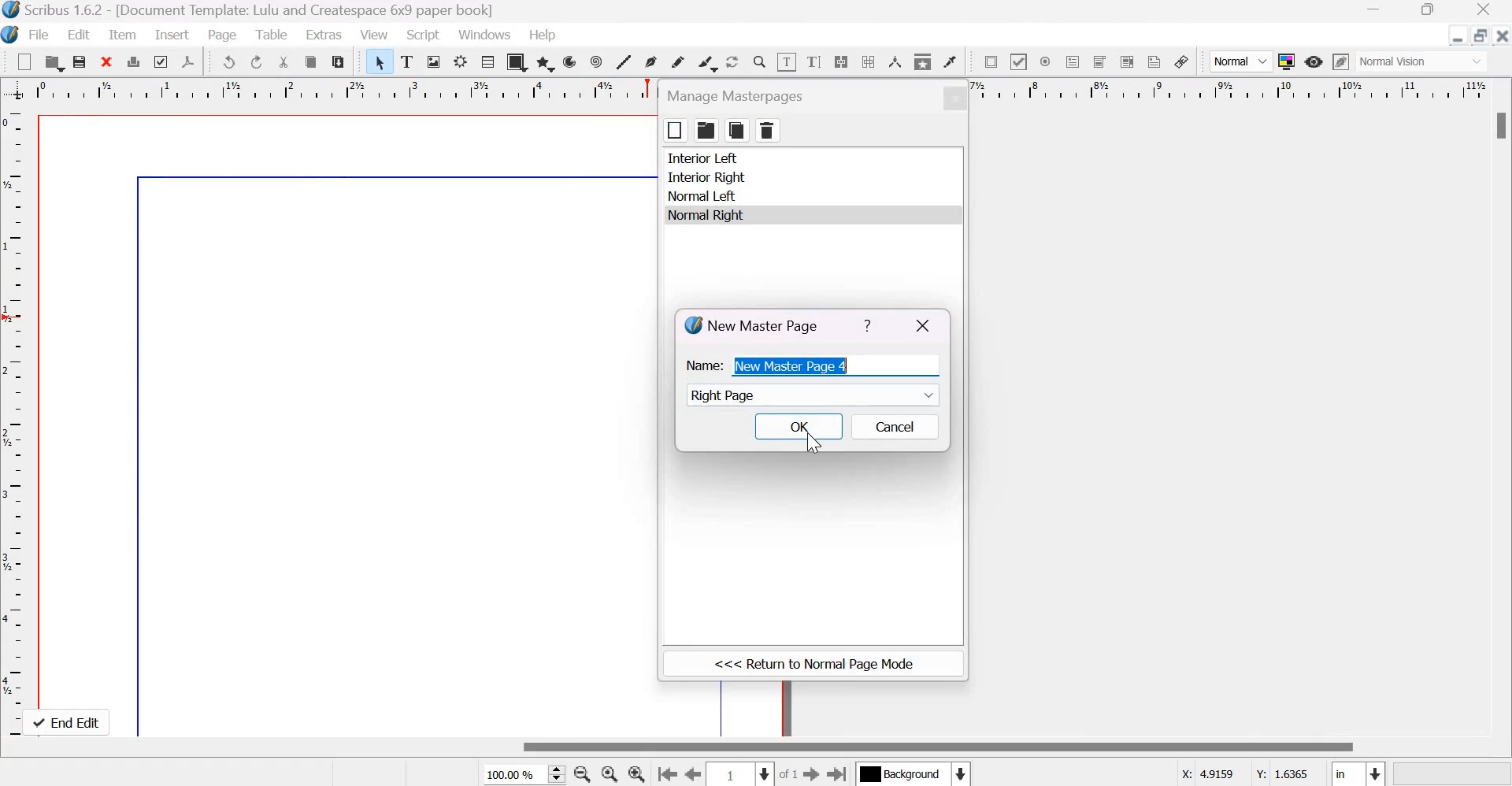 This screenshot has height=786, width=1512. I want to click on Go to the previous page, so click(690, 773).